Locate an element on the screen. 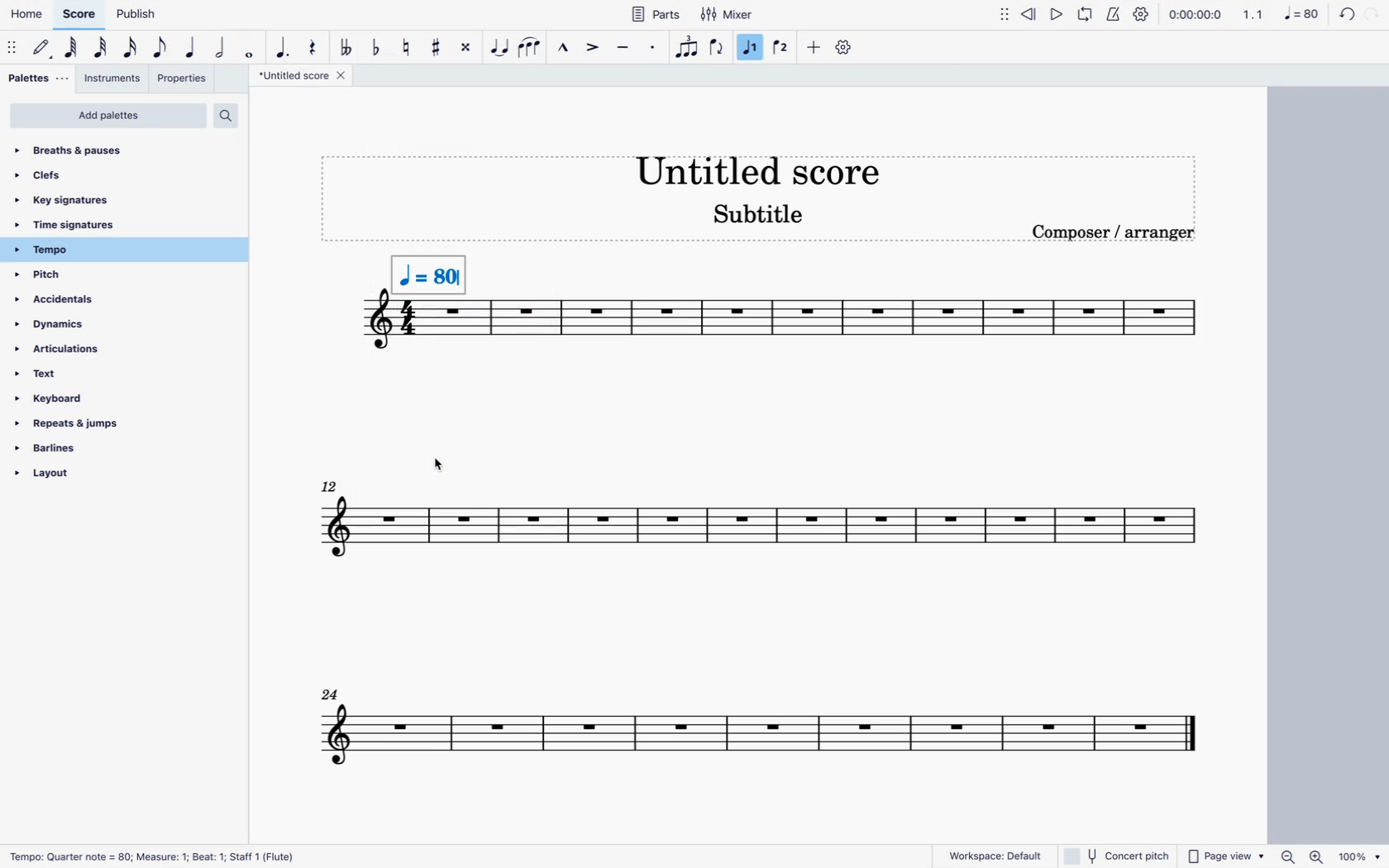  score subtitle is located at coordinates (769, 215).